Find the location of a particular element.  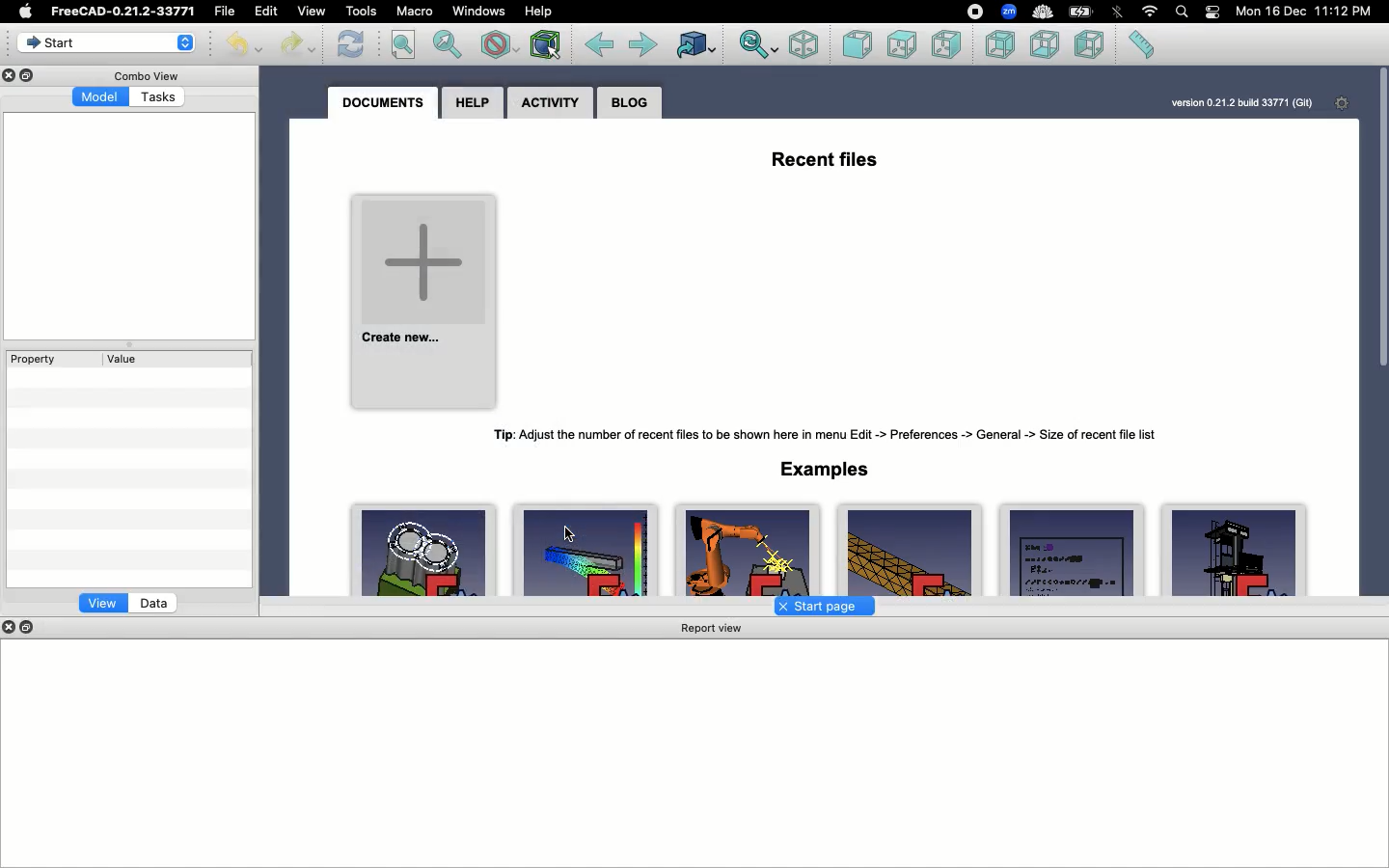

Activity  is located at coordinates (551, 103).